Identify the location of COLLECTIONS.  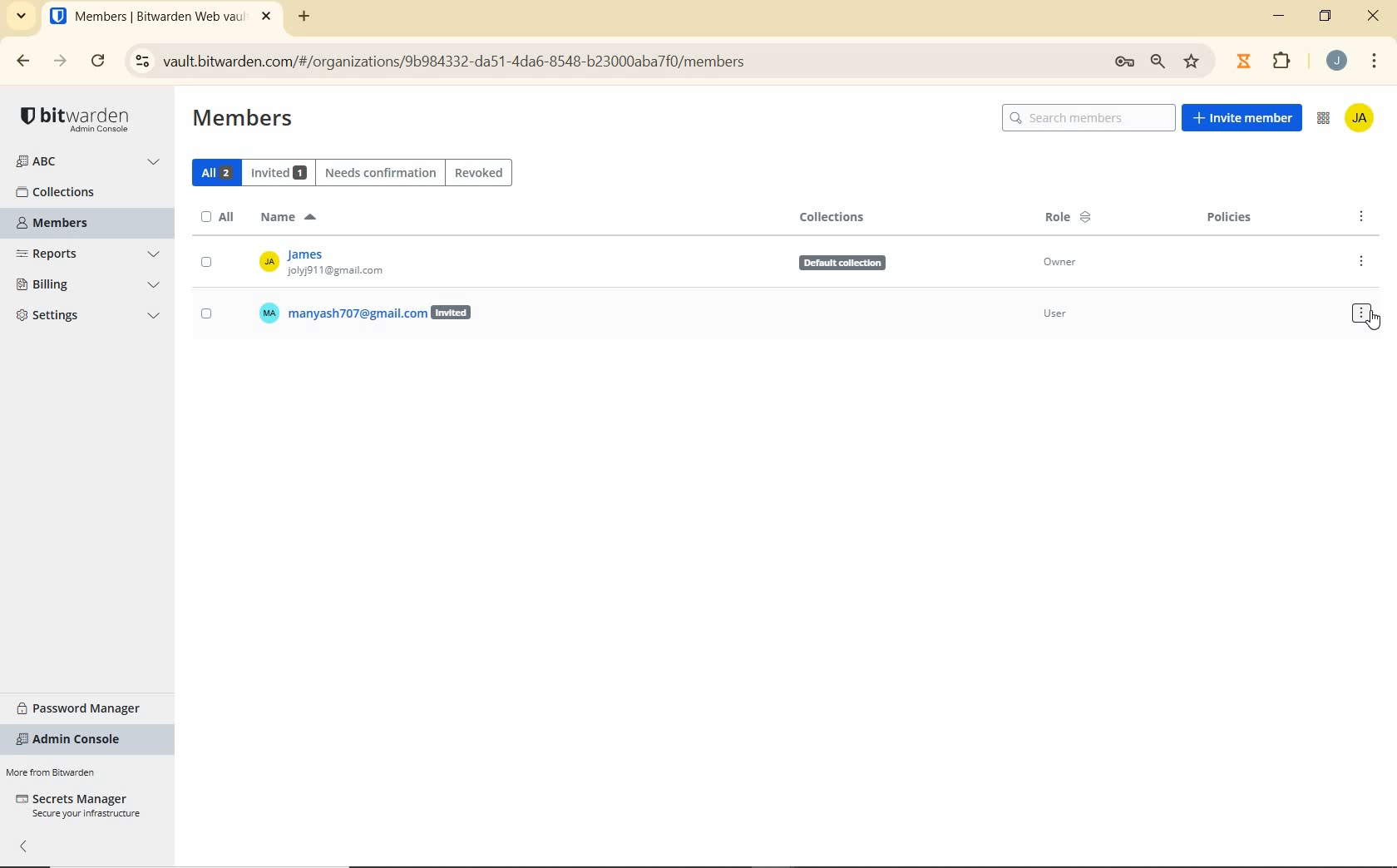
(835, 217).